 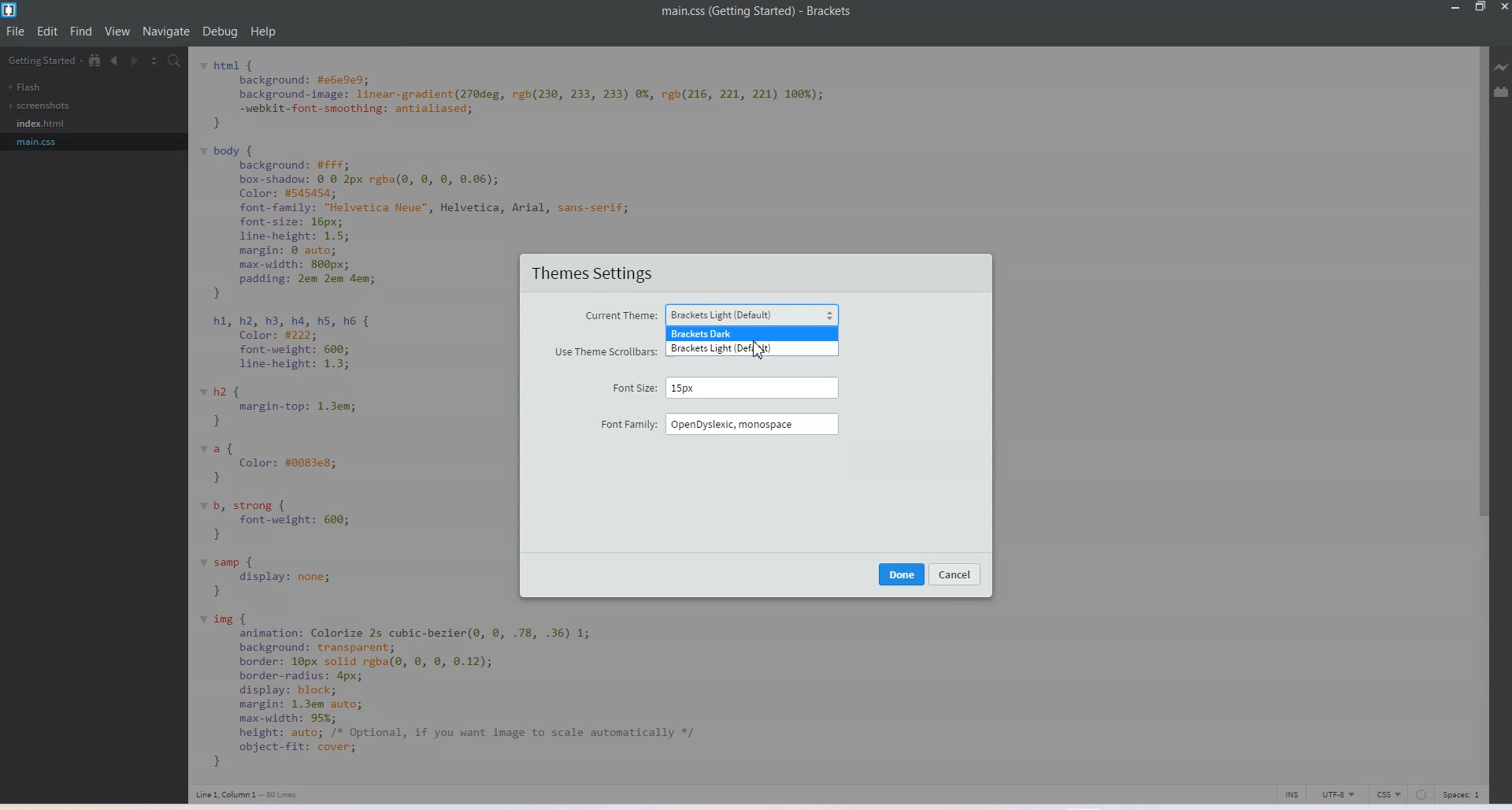 What do you see at coordinates (757, 12) in the screenshot?
I see `File name` at bounding box center [757, 12].